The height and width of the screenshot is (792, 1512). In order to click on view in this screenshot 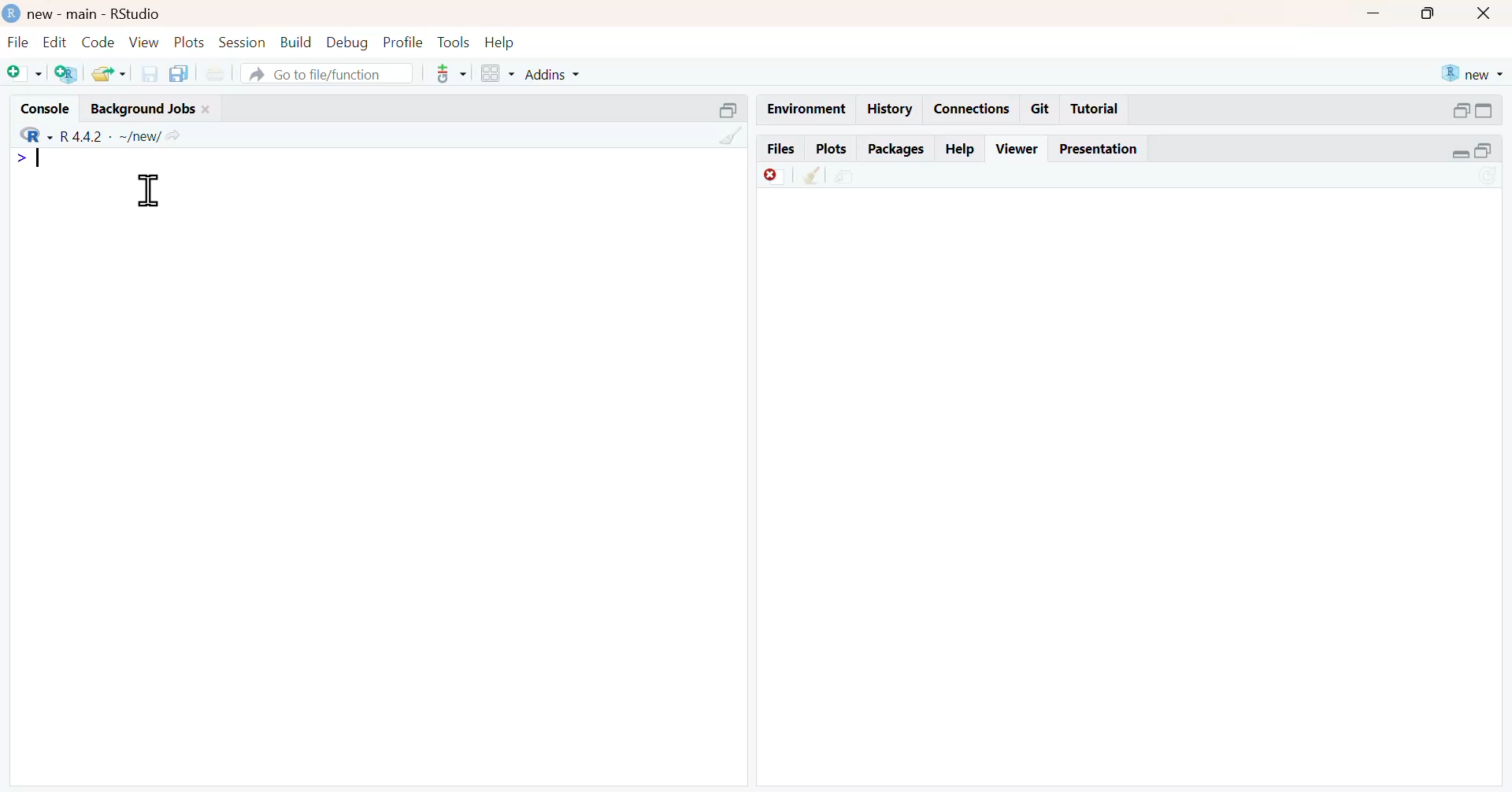, I will do `click(145, 42)`.